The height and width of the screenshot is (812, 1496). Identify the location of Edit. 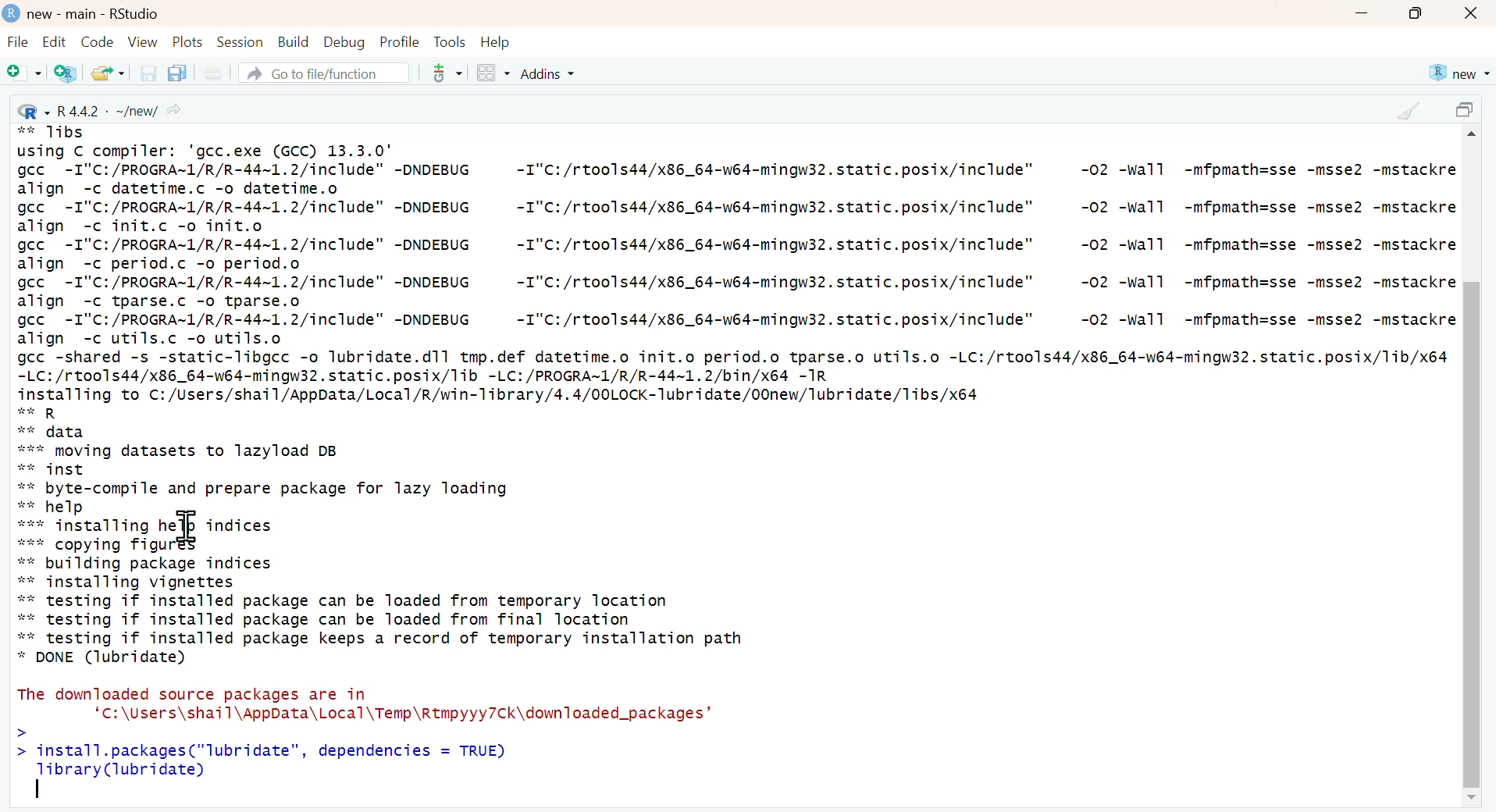
(54, 41).